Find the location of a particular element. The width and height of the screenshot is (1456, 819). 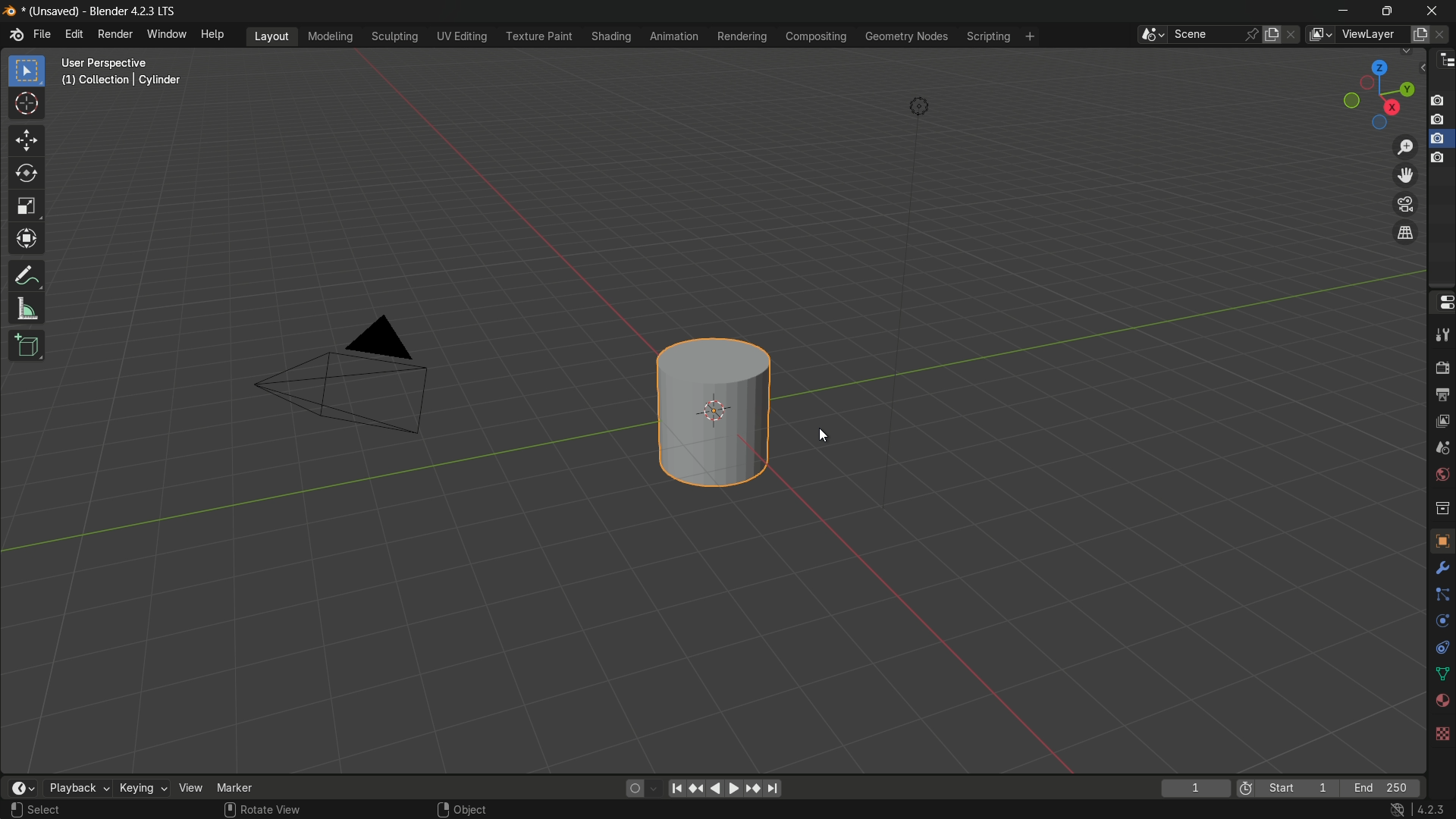

jump to endpoint is located at coordinates (676, 788).